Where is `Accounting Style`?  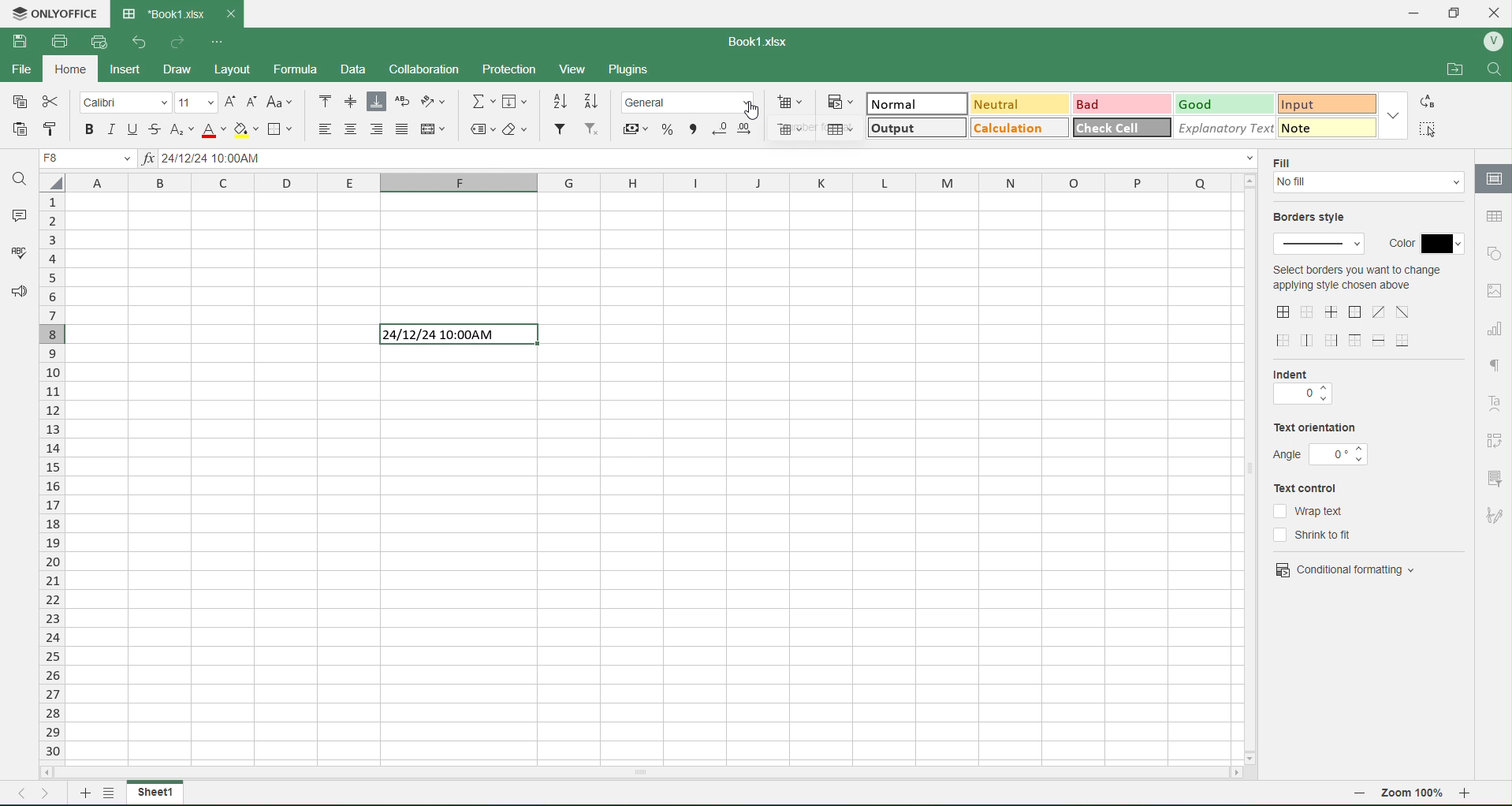 Accounting Style is located at coordinates (635, 128).